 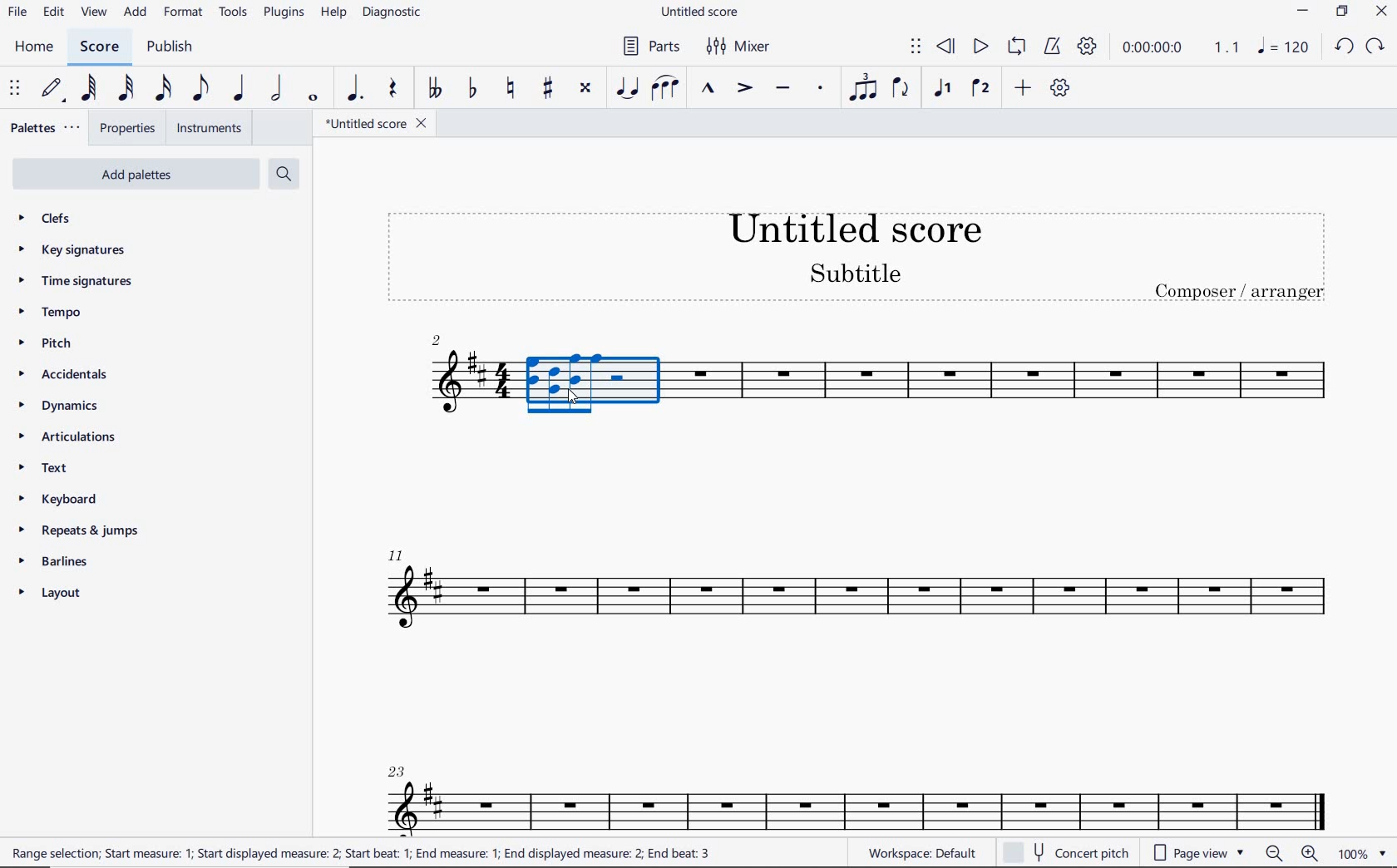 What do you see at coordinates (1198, 854) in the screenshot?
I see `page view` at bounding box center [1198, 854].